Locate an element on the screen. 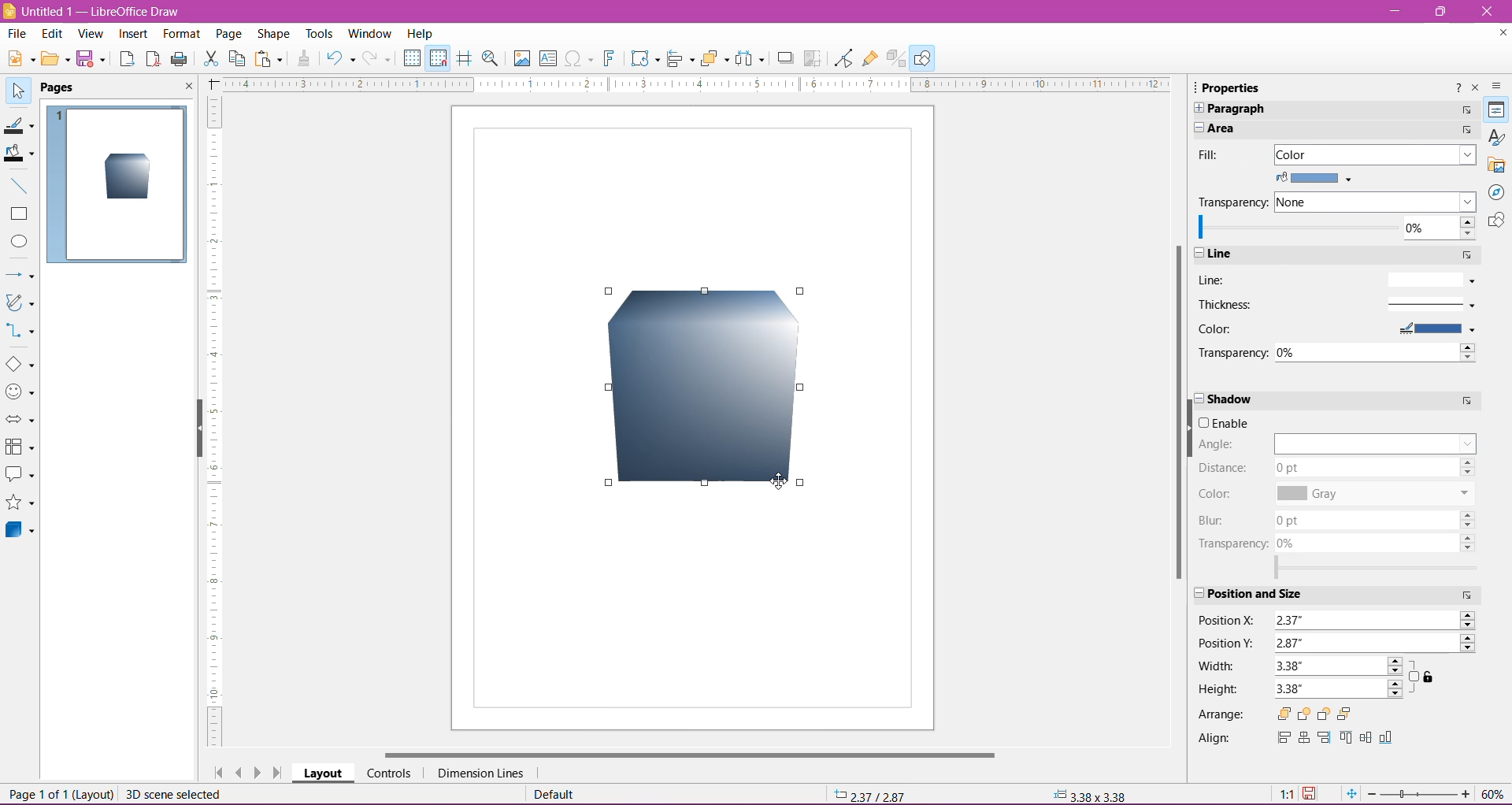  Ruler is located at coordinates (213, 423).